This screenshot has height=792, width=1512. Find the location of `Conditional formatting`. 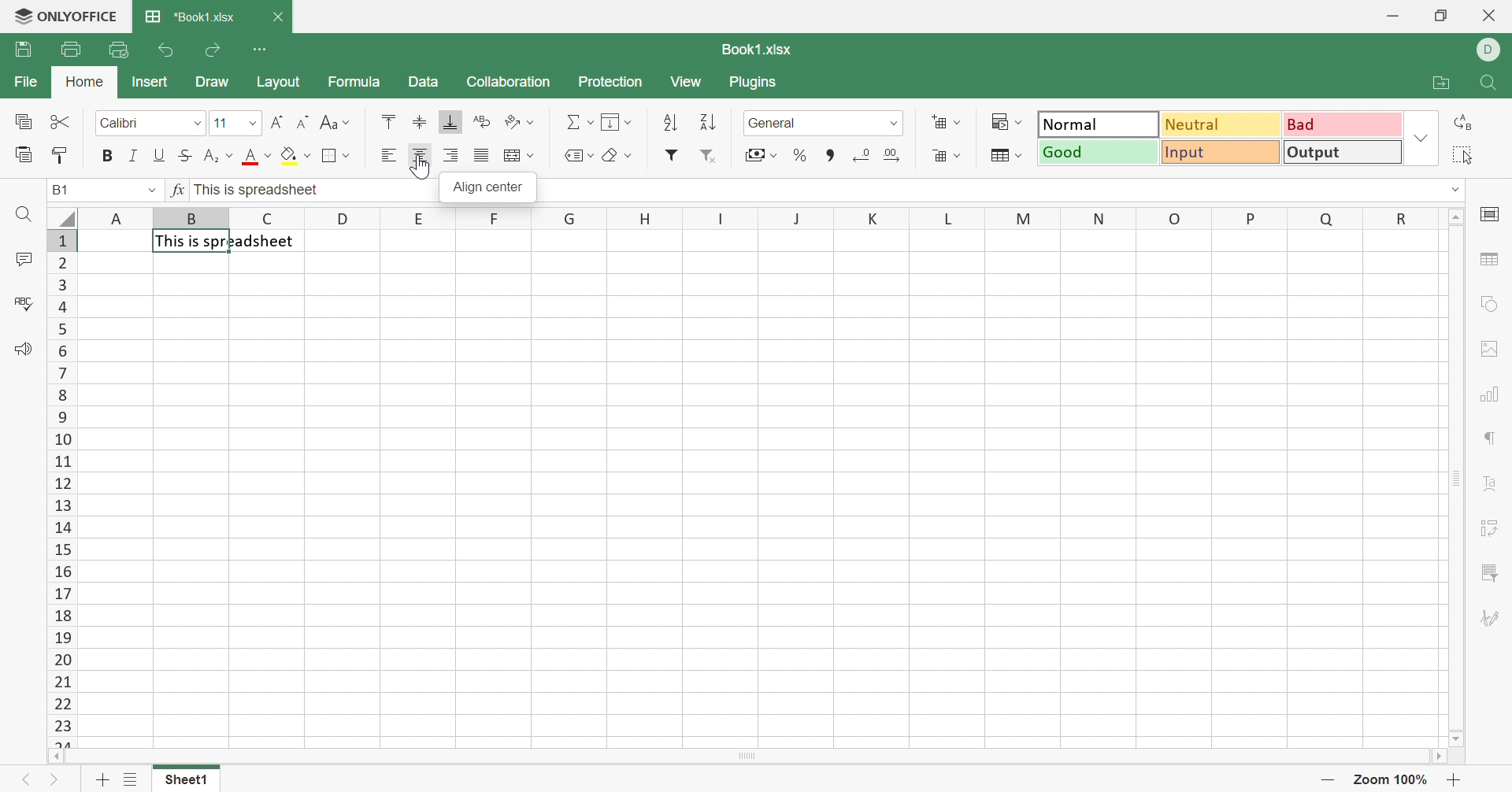

Conditional formatting is located at coordinates (997, 118).